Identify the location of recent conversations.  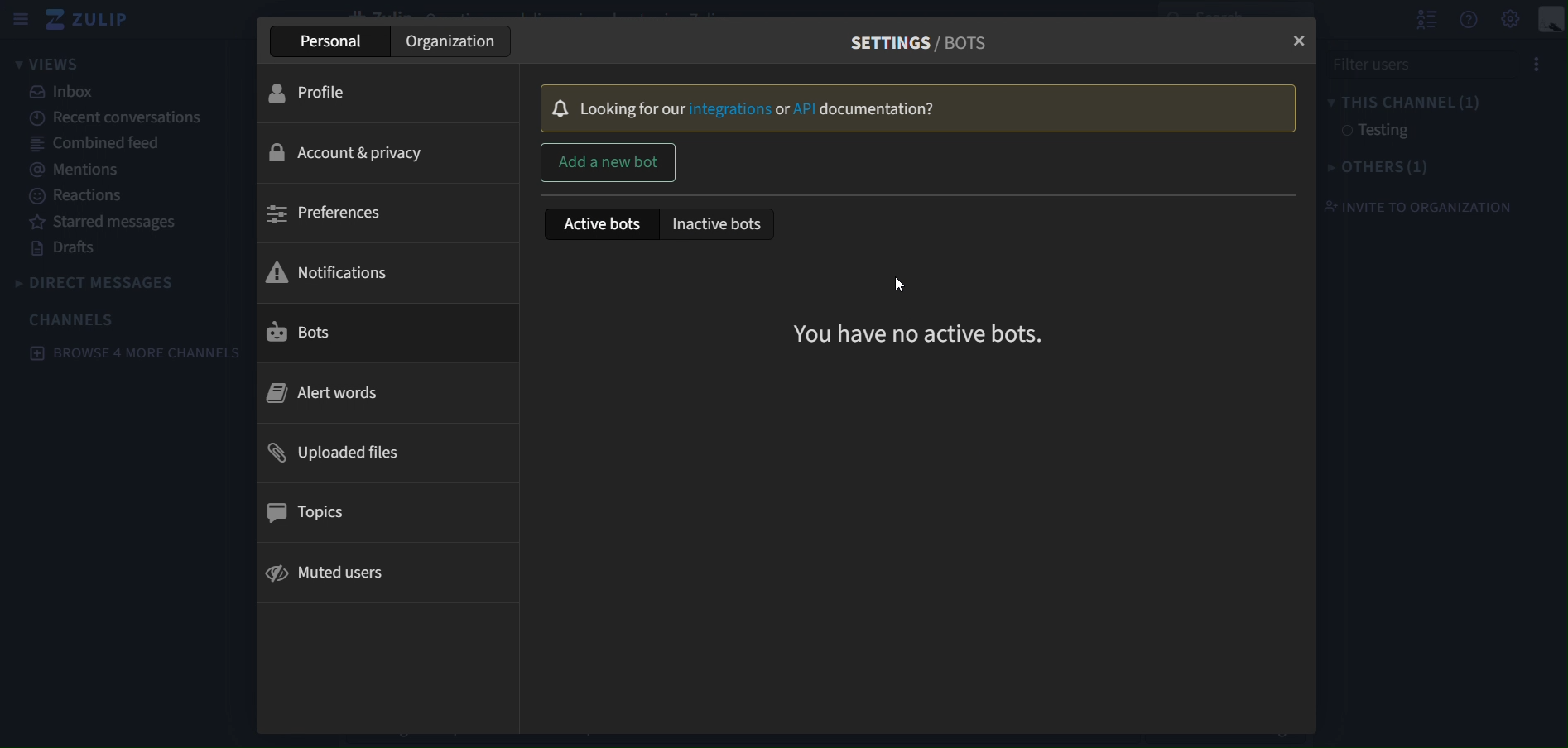
(118, 119).